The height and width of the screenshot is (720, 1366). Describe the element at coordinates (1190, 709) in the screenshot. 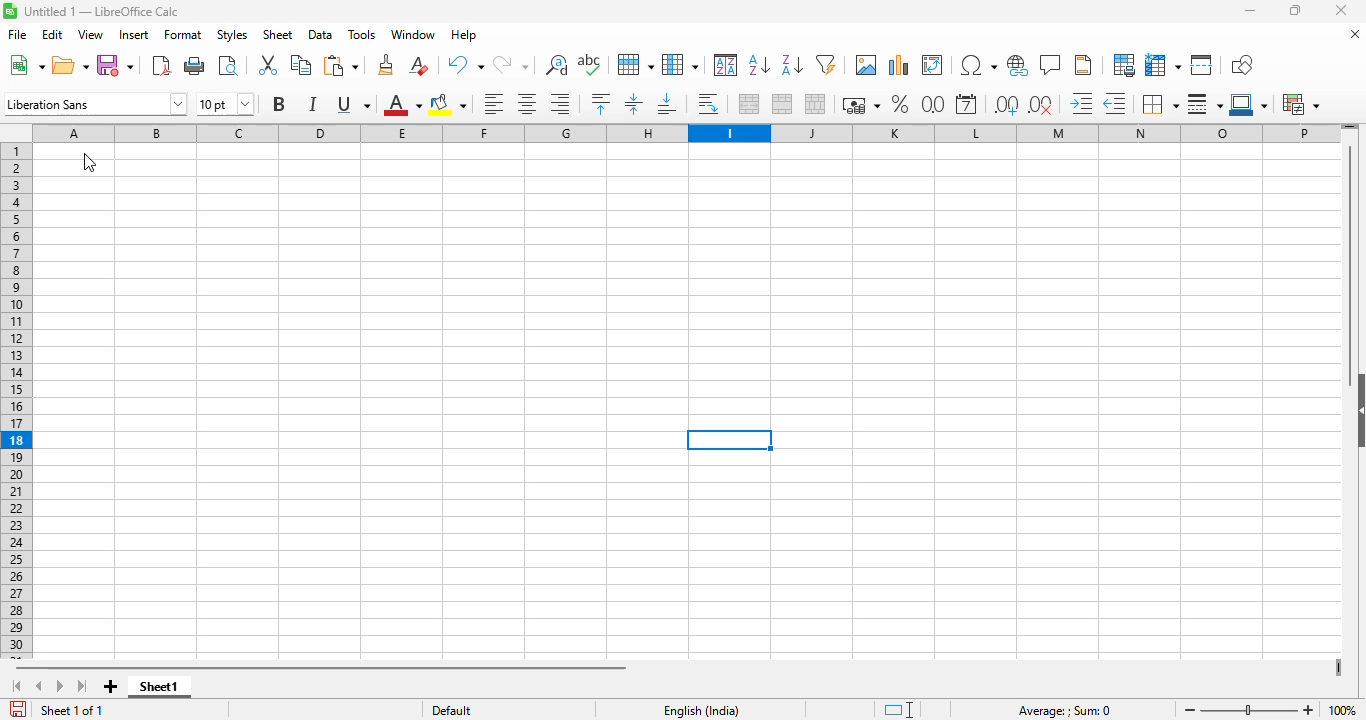

I see `zoom out` at that location.